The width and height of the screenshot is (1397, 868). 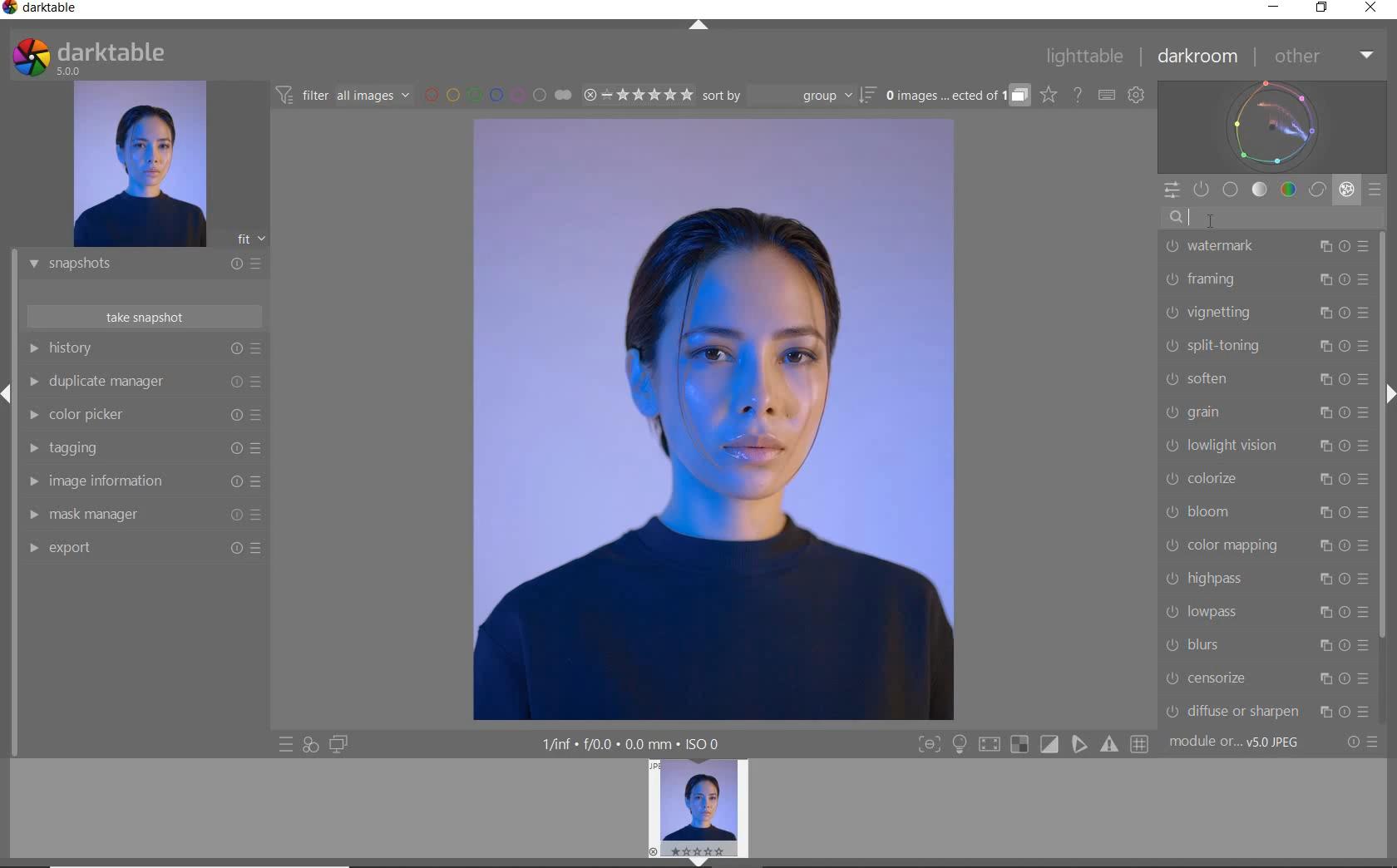 I want to click on DISPLAY A SECOND DARKROOM IMAGE WINDOW, so click(x=338, y=744).